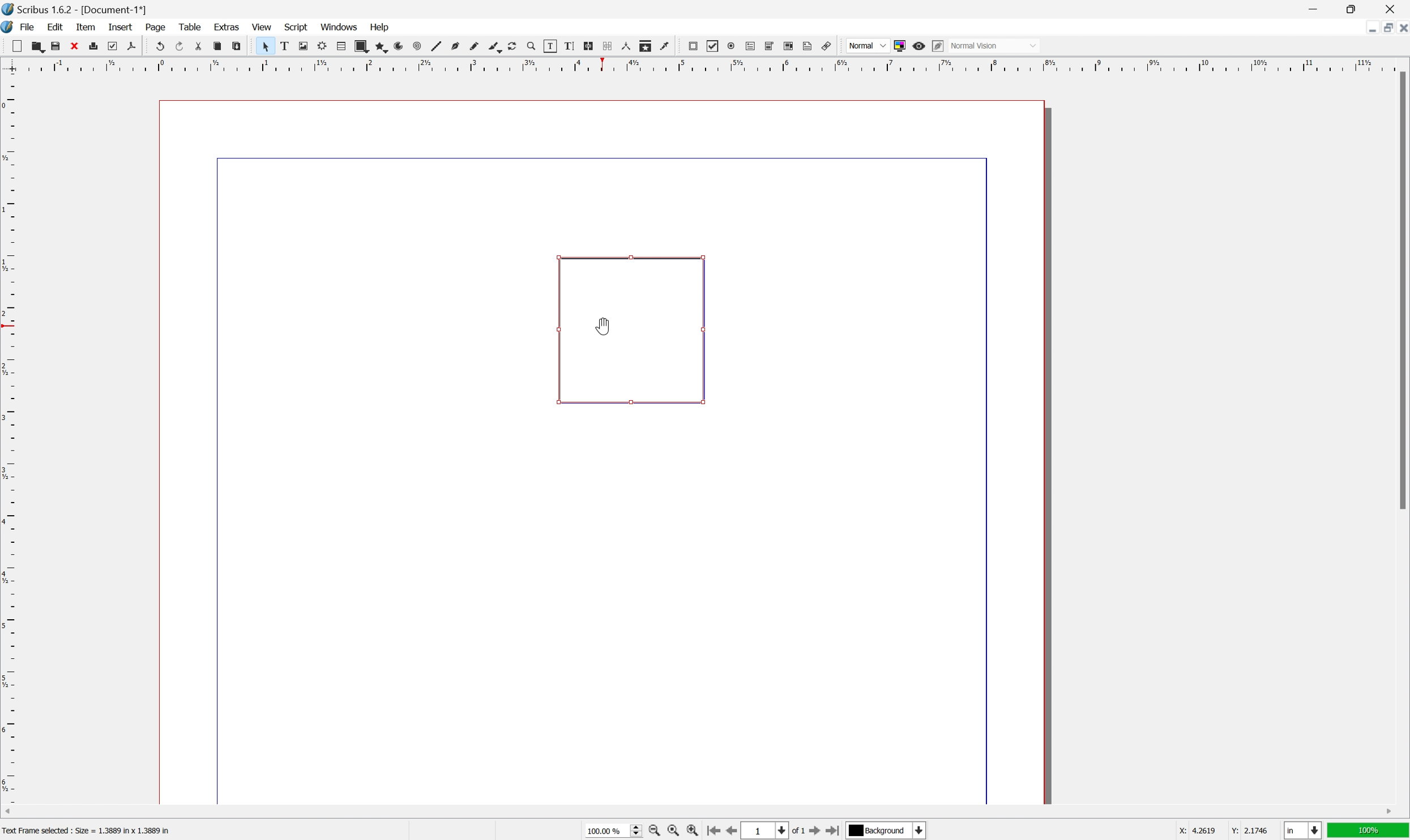 Image resolution: width=1410 pixels, height=840 pixels. I want to click on shape, so click(361, 46).